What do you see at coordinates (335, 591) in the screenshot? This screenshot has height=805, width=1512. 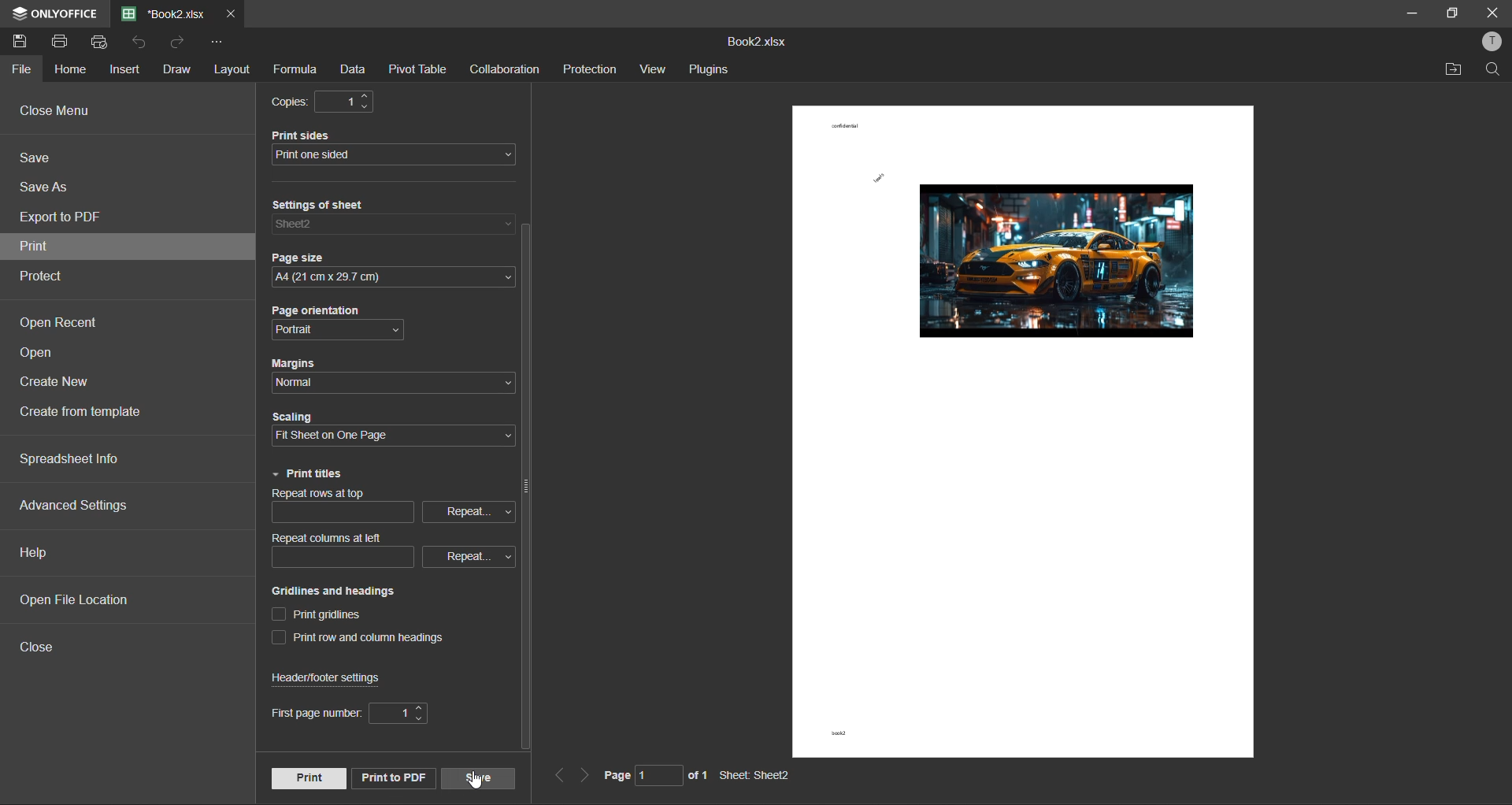 I see `Gridlines and headings` at bounding box center [335, 591].